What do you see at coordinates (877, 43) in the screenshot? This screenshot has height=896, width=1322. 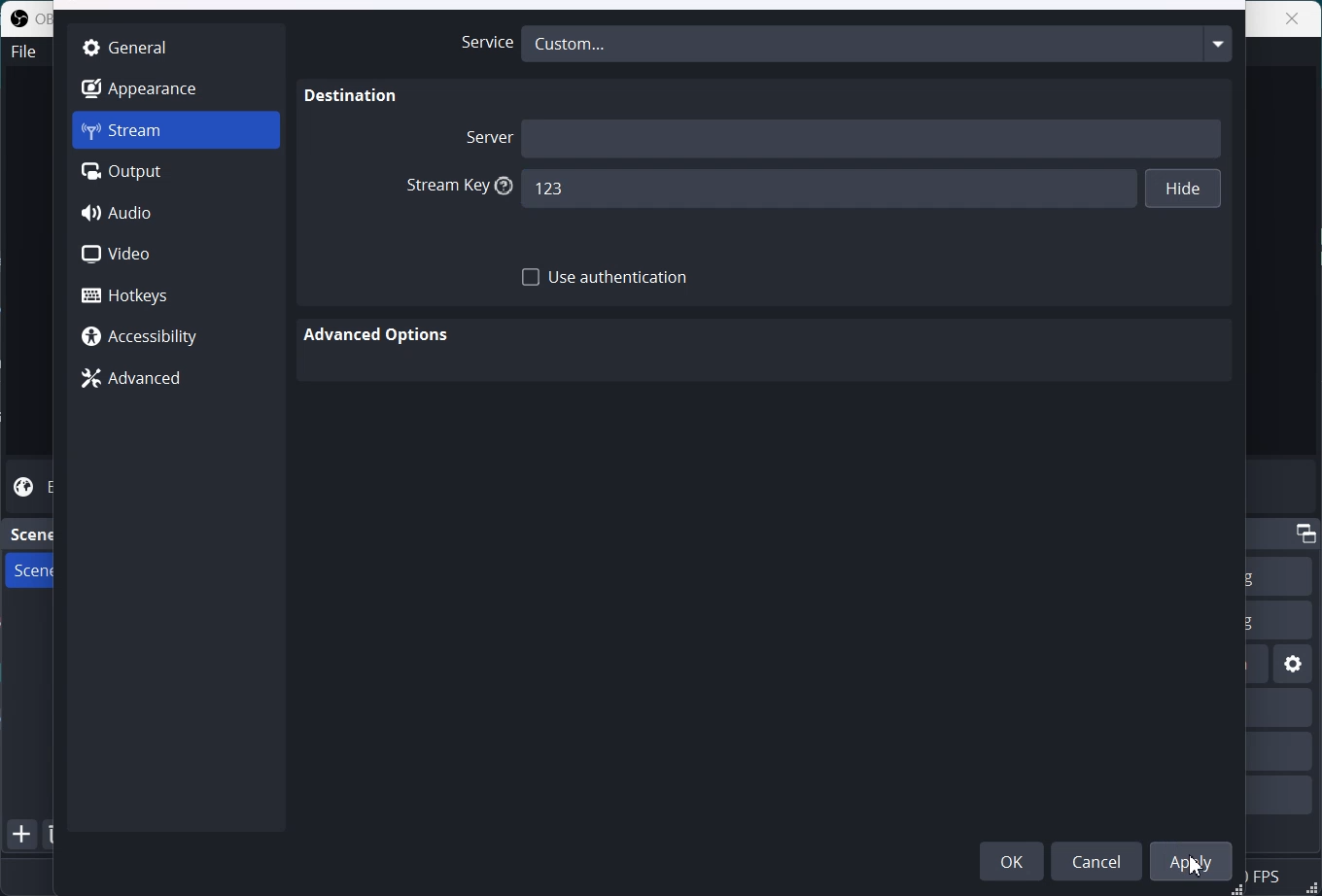 I see `Custom...` at bounding box center [877, 43].